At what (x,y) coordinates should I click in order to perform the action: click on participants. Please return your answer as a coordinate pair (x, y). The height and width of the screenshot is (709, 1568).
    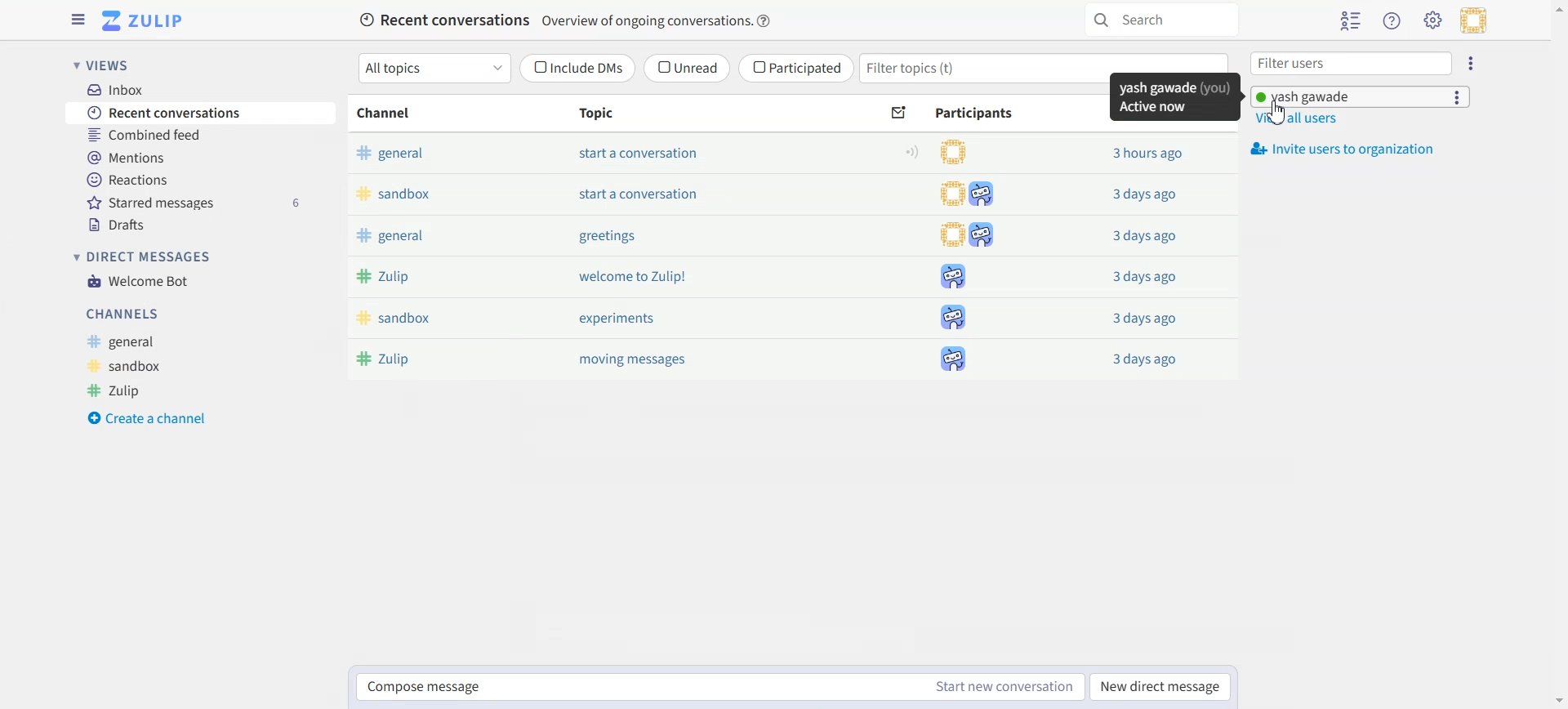
    Looking at the image, I should click on (954, 154).